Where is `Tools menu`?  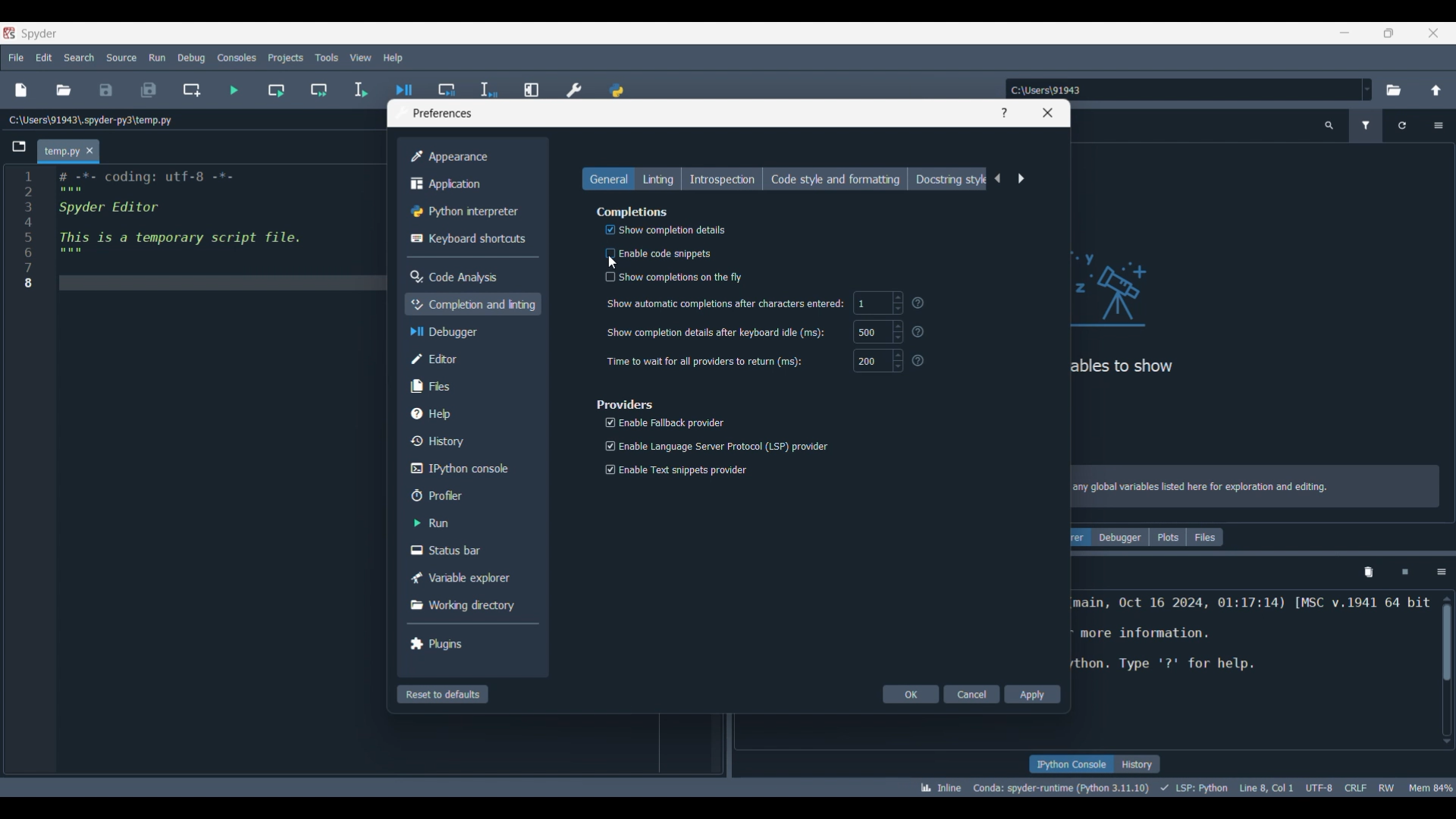 Tools menu is located at coordinates (327, 58).